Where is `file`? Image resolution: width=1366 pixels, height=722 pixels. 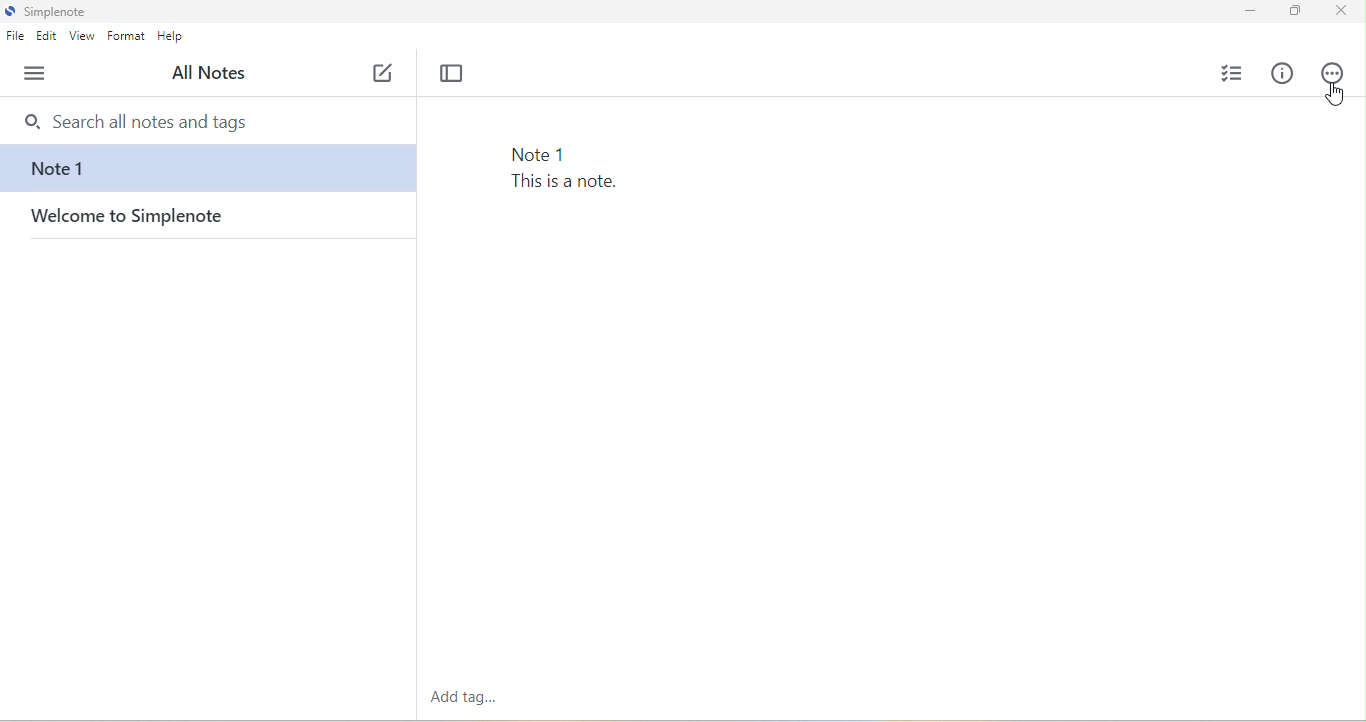
file is located at coordinates (15, 37).